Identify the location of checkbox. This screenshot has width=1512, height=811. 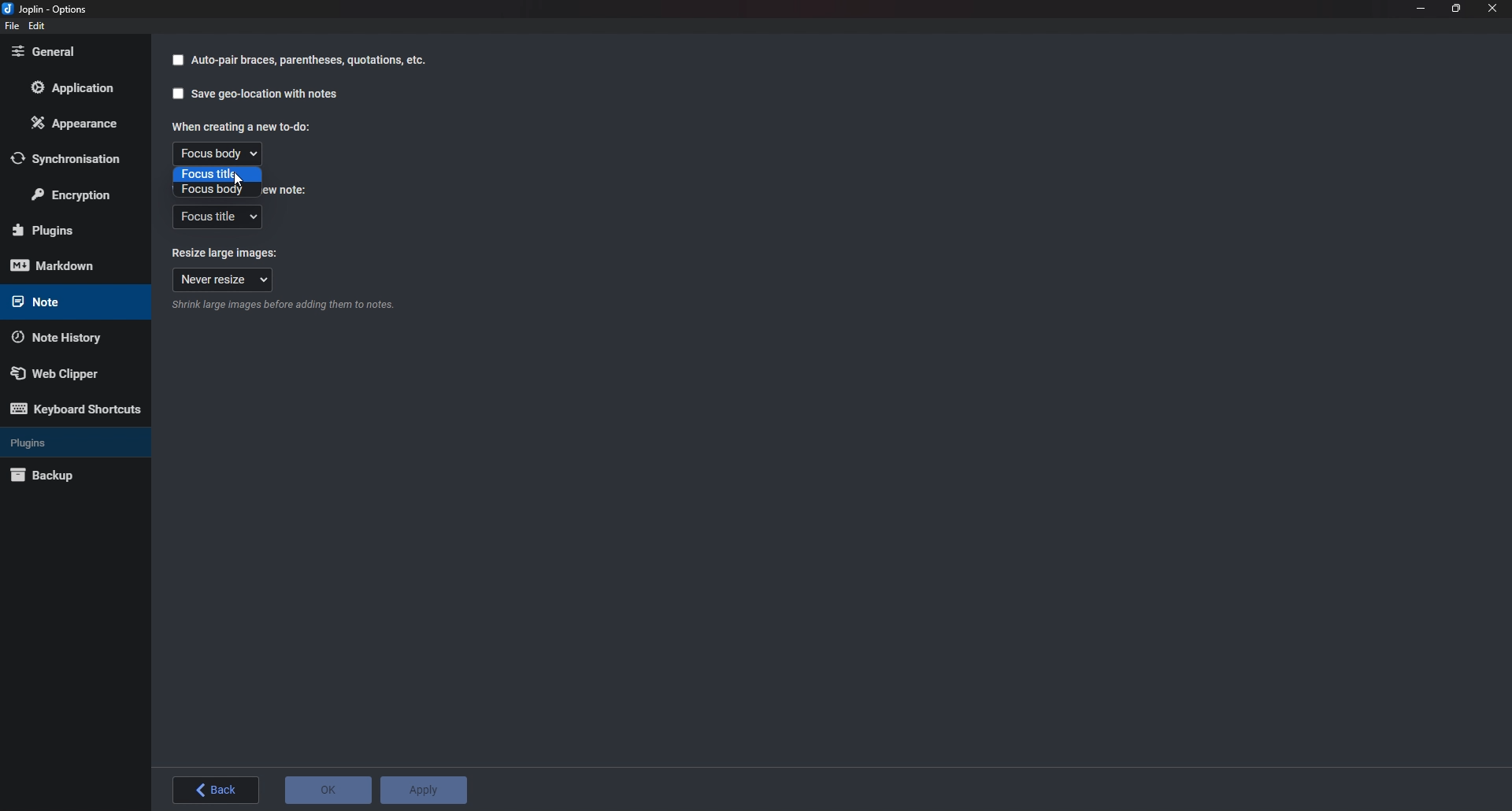
(177, 94).